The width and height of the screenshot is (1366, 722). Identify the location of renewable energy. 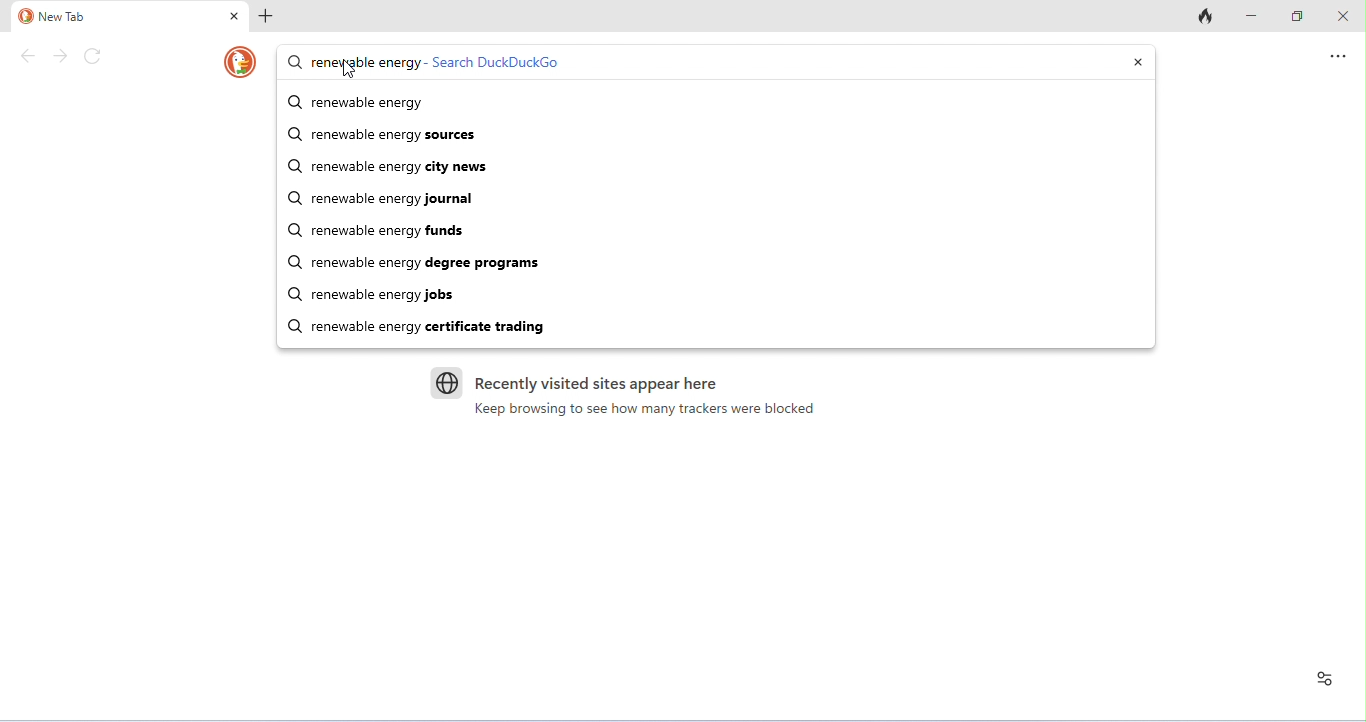
(729, 103).